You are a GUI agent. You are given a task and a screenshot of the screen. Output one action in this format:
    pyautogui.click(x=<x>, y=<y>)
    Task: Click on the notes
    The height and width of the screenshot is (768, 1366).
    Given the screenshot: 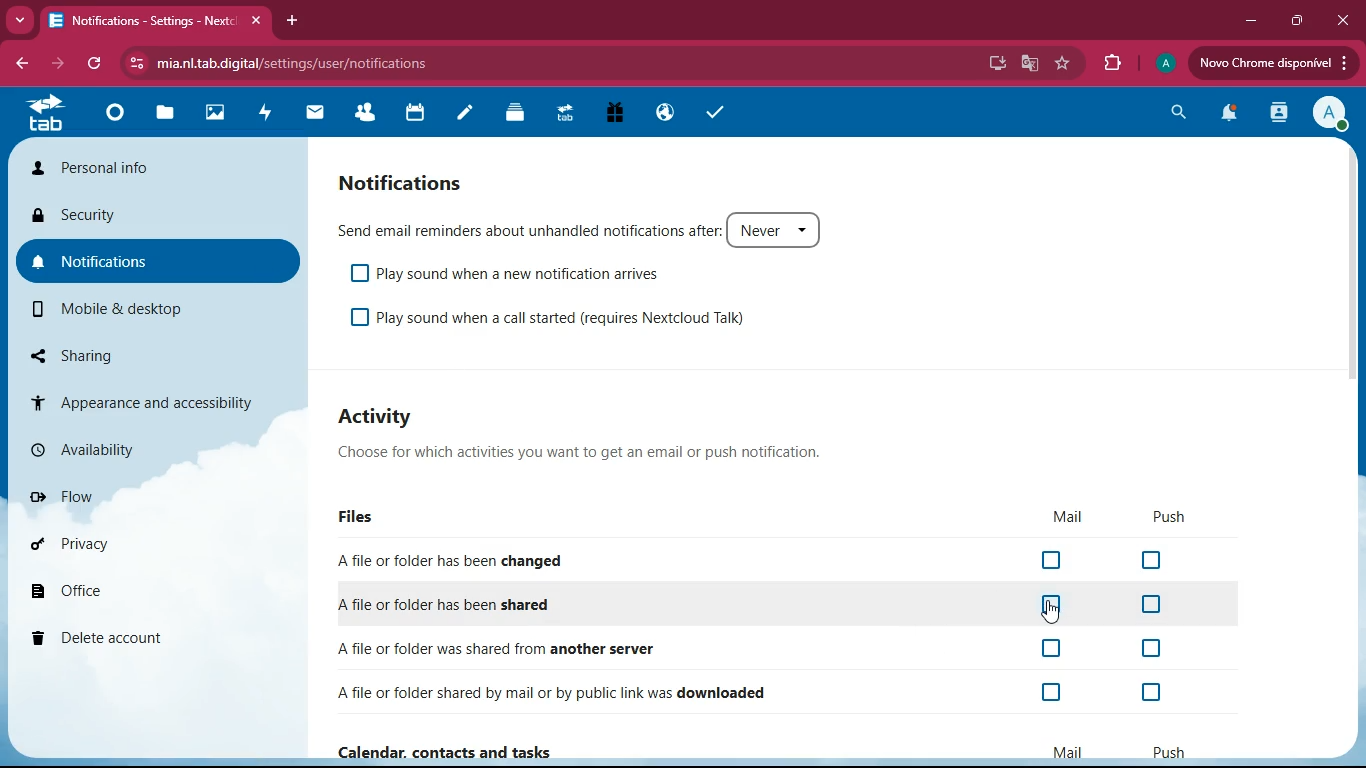 What is the action you would take?
    pyautogui.click(x=459, y=115)
    